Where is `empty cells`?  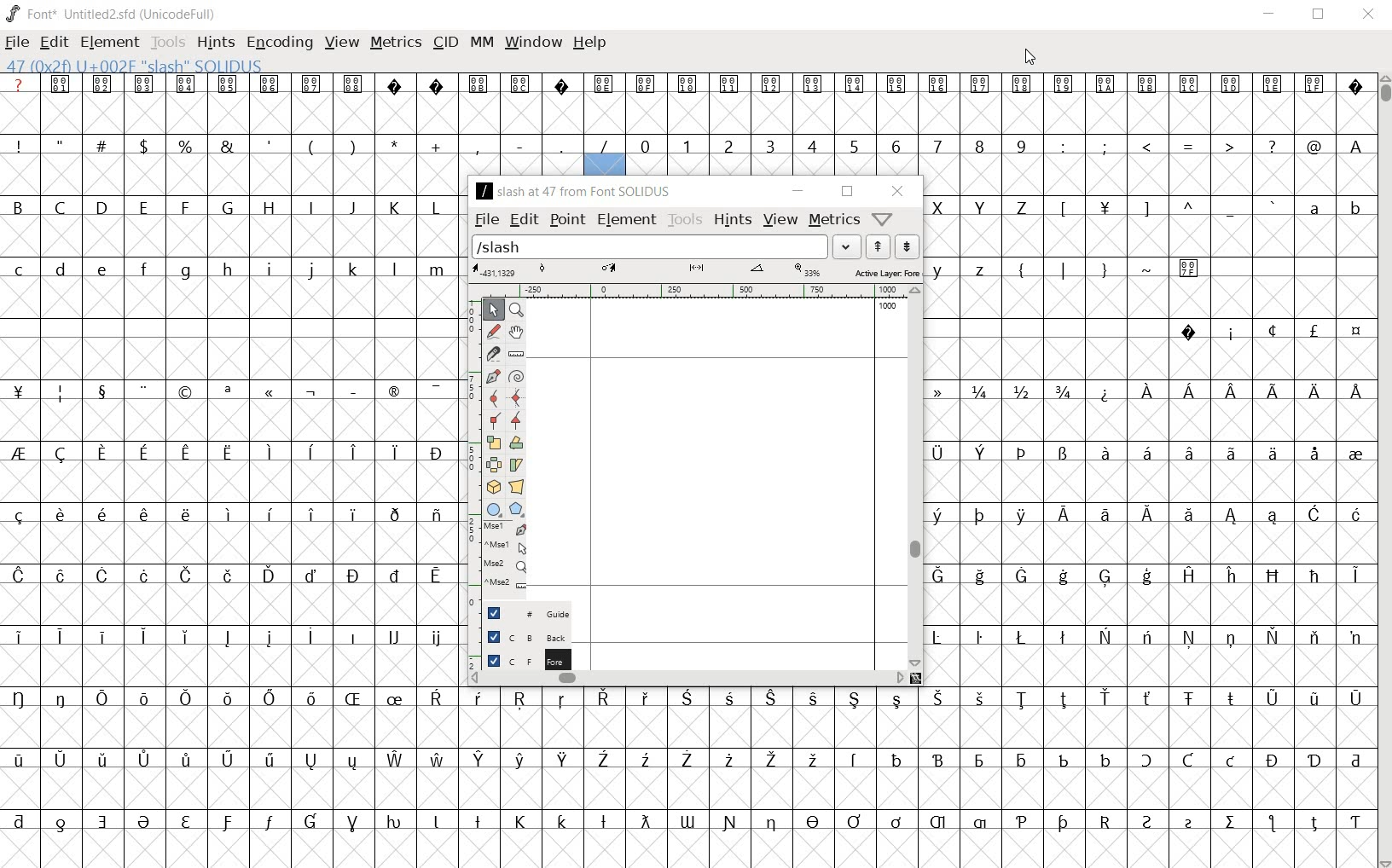 empty cells is located at coordinates (1150, 482).